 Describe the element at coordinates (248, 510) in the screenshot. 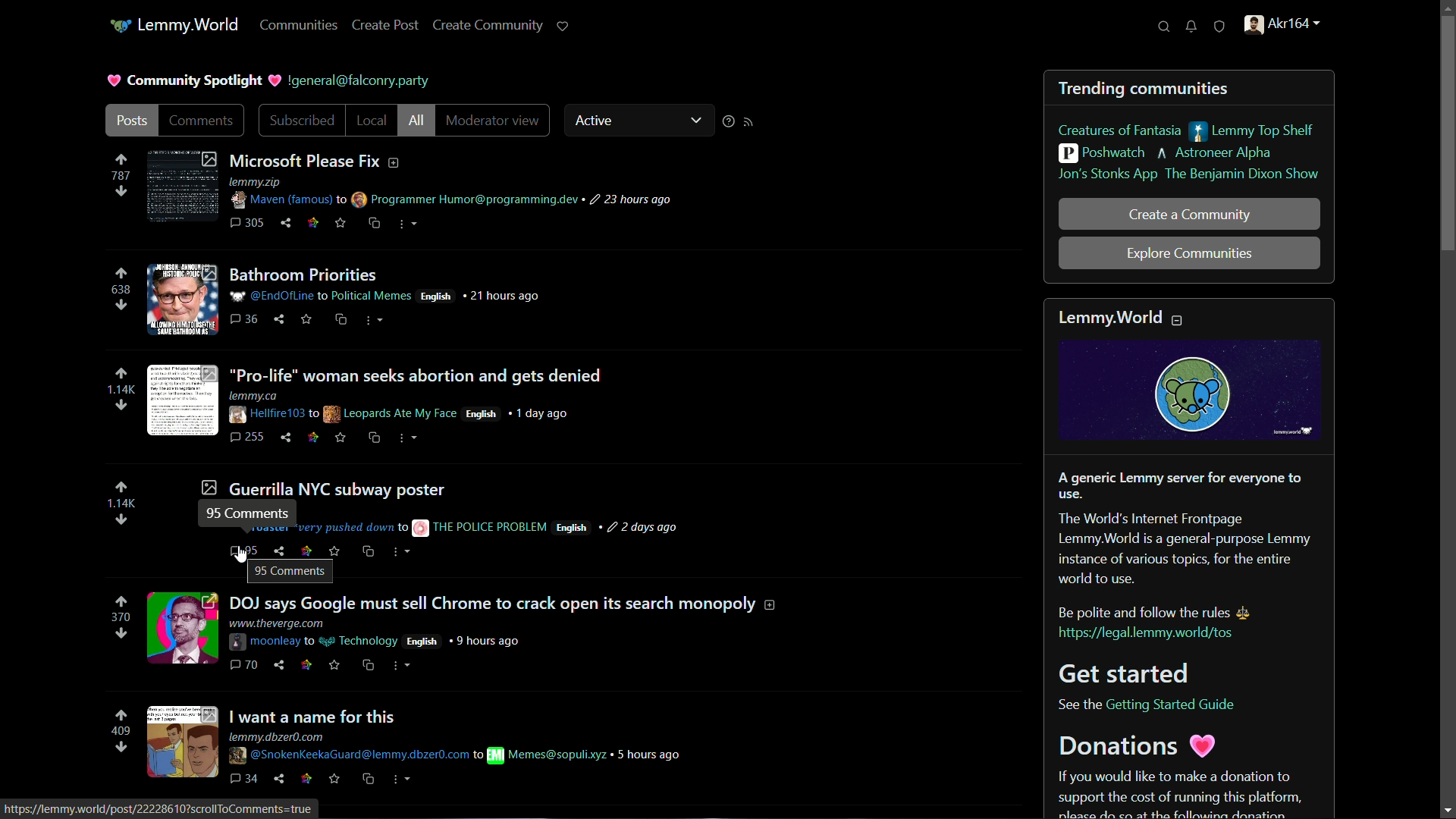

I see `95 comments pop up` at that location.